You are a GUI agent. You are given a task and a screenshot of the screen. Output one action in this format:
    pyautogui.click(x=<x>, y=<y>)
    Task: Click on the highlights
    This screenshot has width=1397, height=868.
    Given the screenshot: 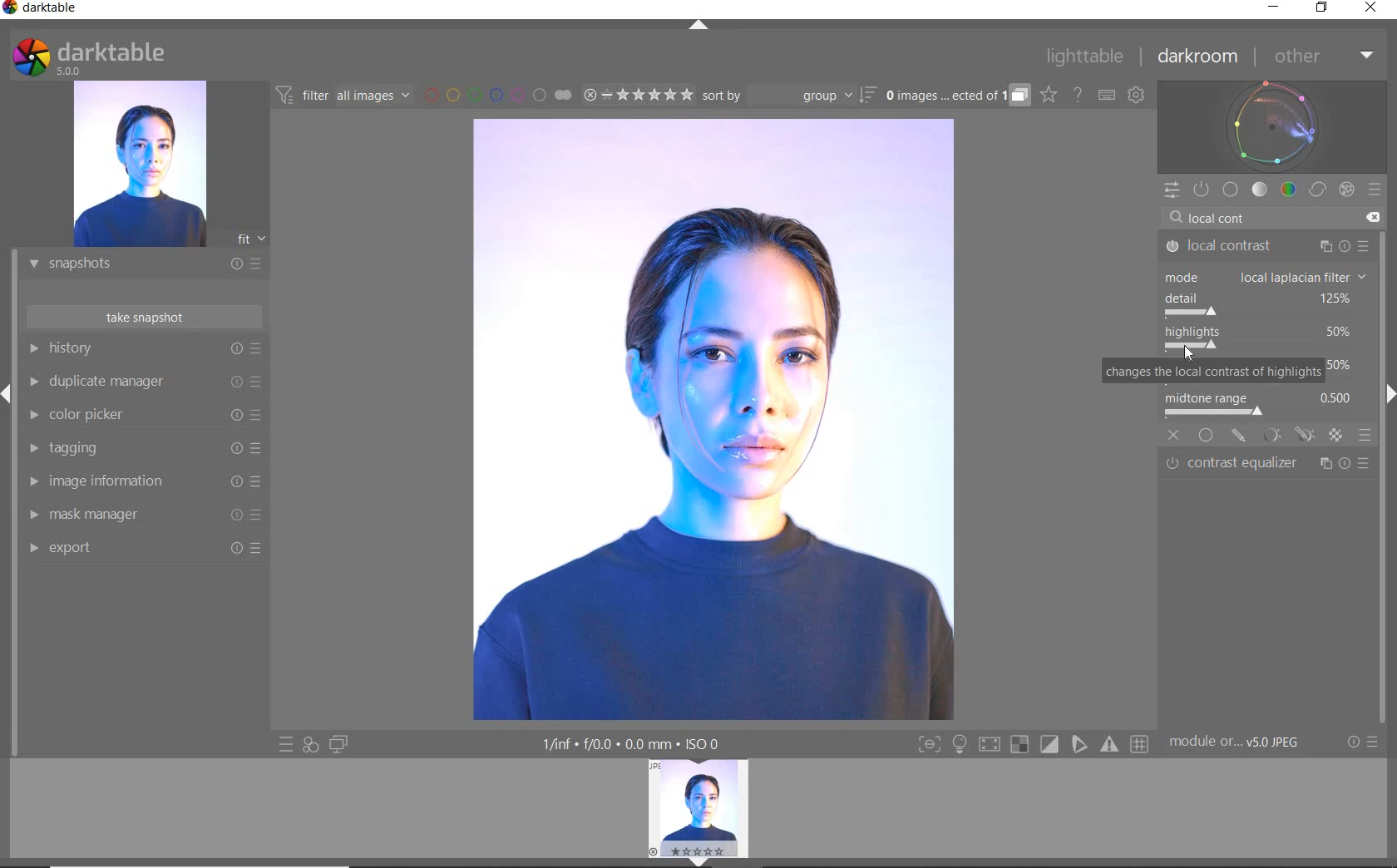 What is the action you would take?
    pyautogui.click(x=1261, y=338)
    